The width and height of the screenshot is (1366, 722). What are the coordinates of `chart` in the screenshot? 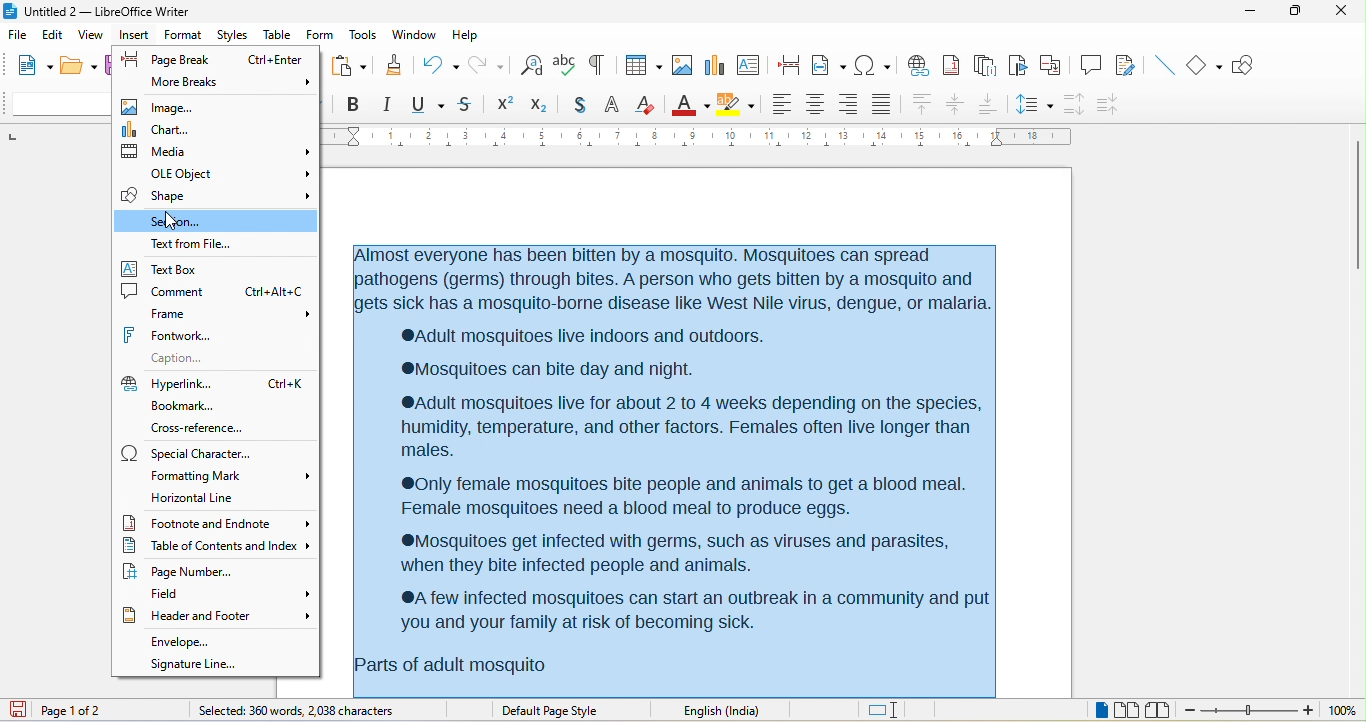 It's located at (214, 130).